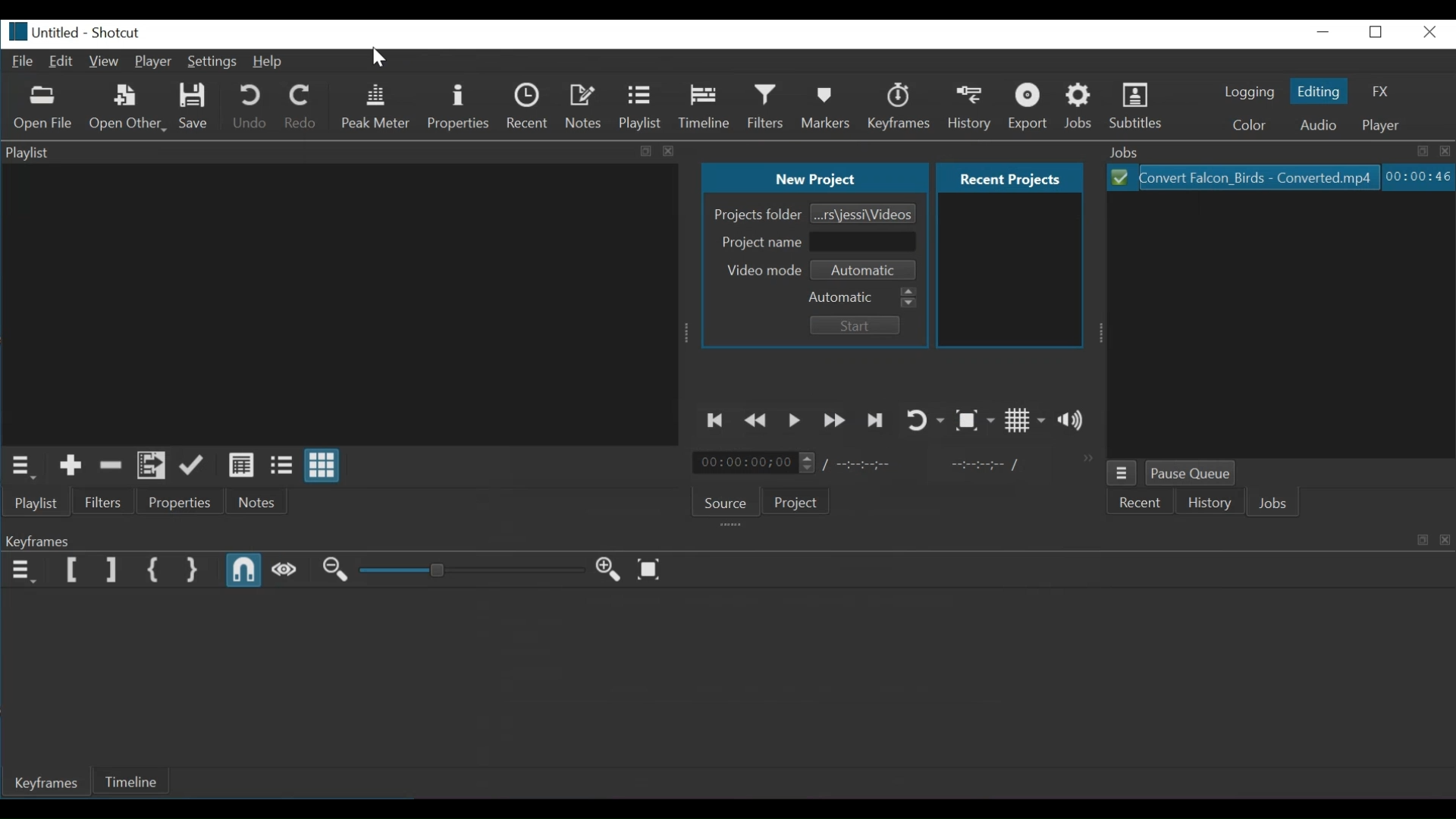  What do you see at coordinates (762, 243) in the screenshot?
I see `Project name` at bounding box center [762, 243].